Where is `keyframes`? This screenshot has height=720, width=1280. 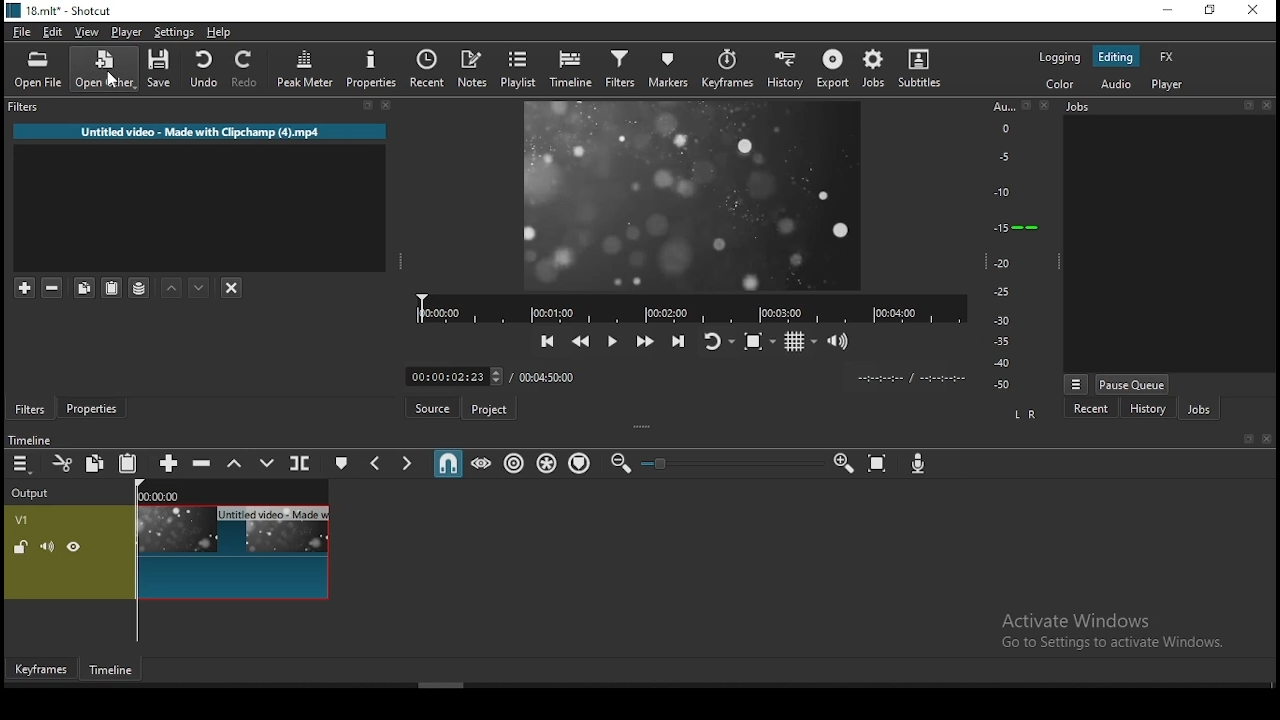
keyframes is located at coordinates (727, 68).